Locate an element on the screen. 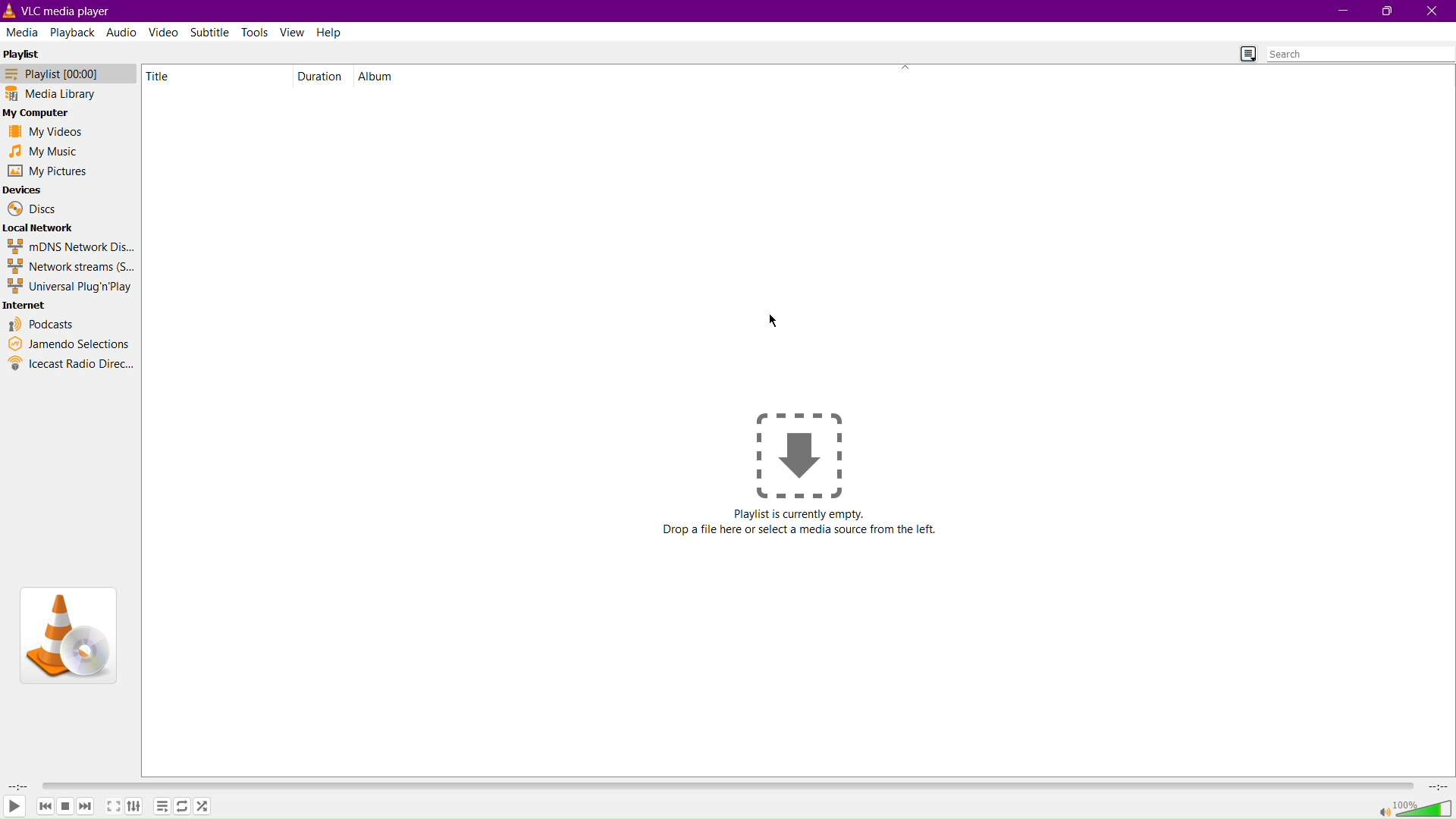  logo is located at coordinates (11, 11).